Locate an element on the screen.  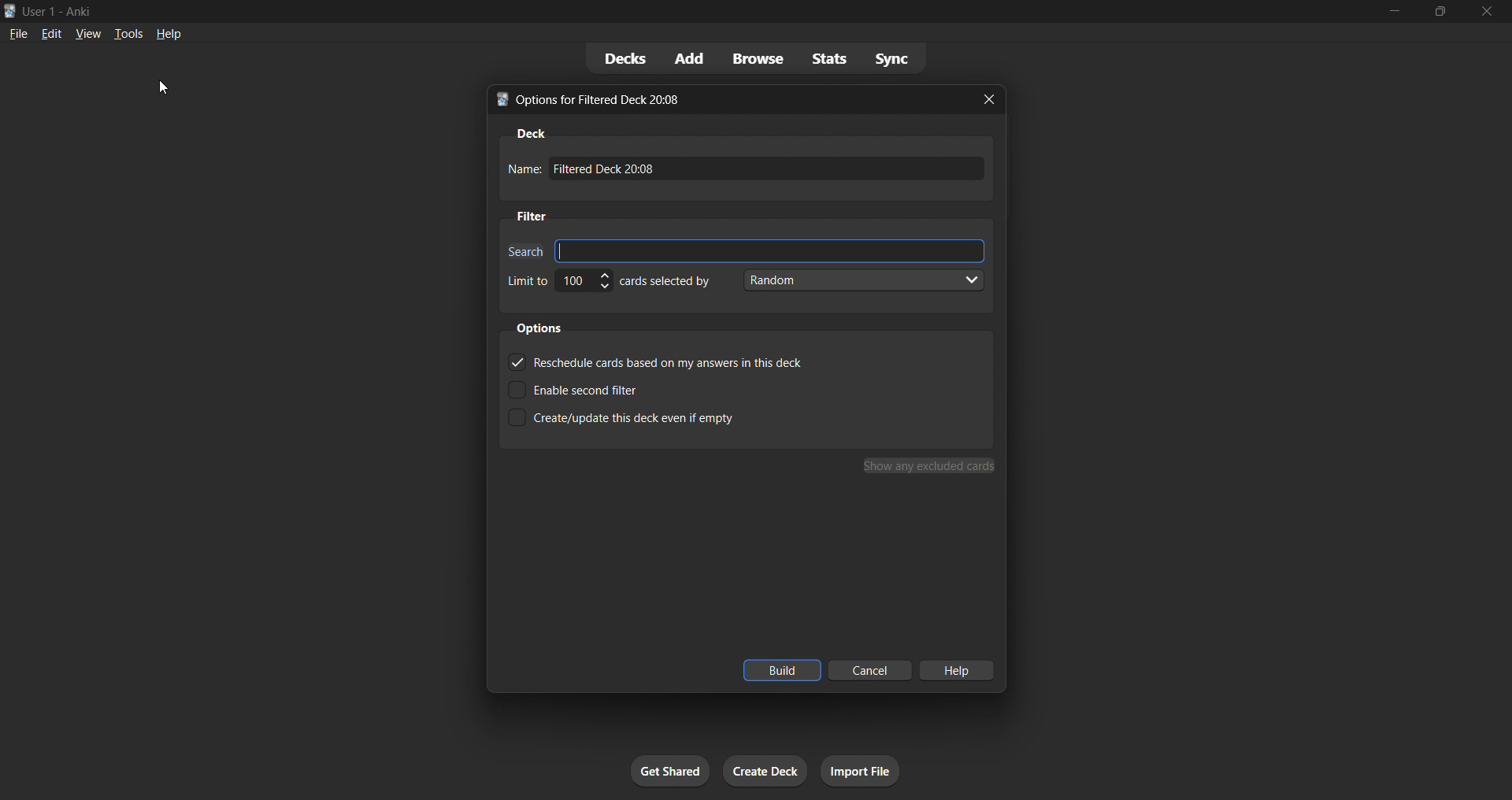
close is located at coordinates (991, 100).